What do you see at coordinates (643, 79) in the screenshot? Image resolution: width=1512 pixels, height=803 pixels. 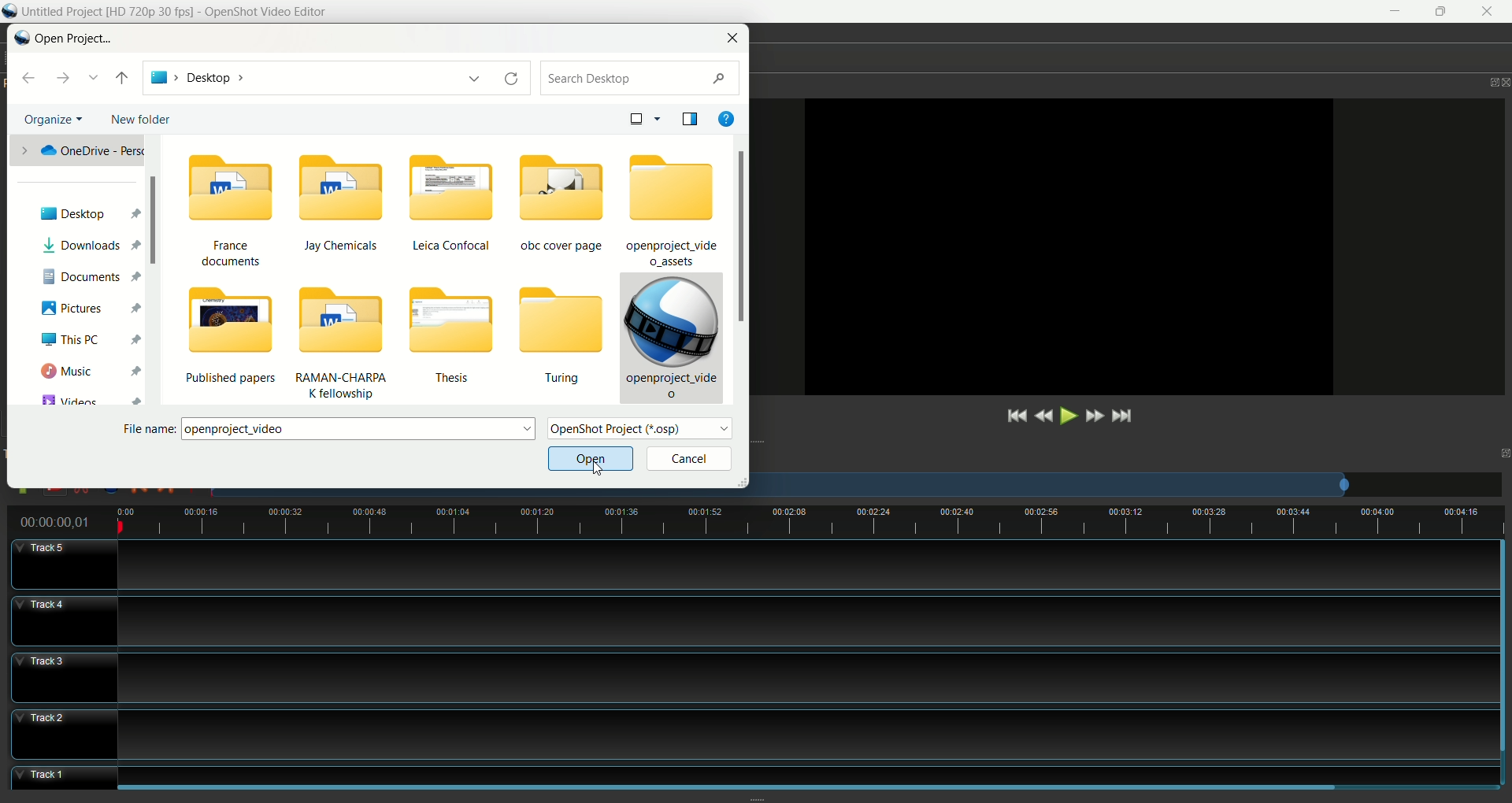 I see `search` at bounding box center [643, 79].